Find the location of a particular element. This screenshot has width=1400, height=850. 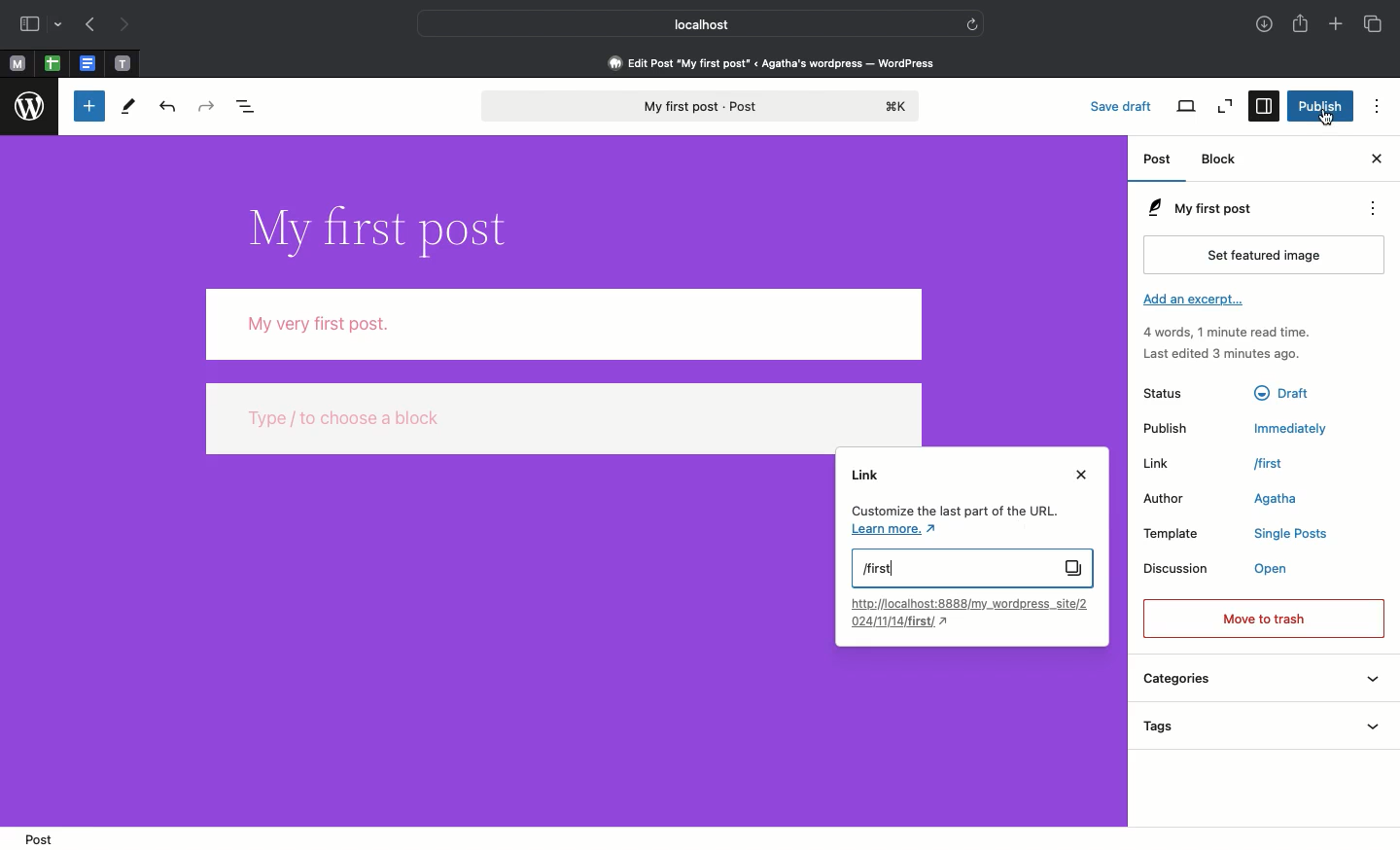

Actions is located at coordinates (1371, 208).